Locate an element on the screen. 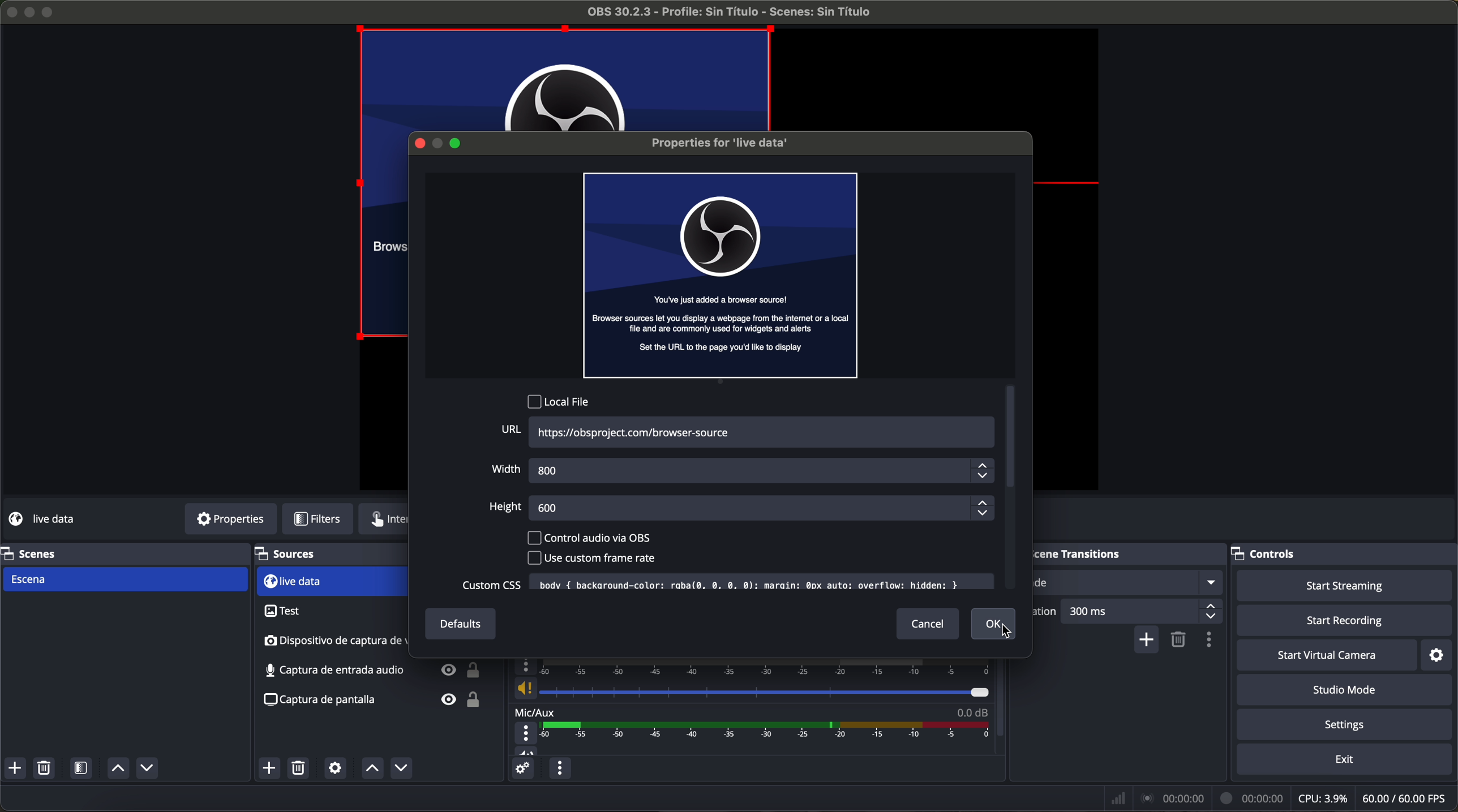 This screenshot has height=812, width=1458. cancel is located at coordinates (928, 624).